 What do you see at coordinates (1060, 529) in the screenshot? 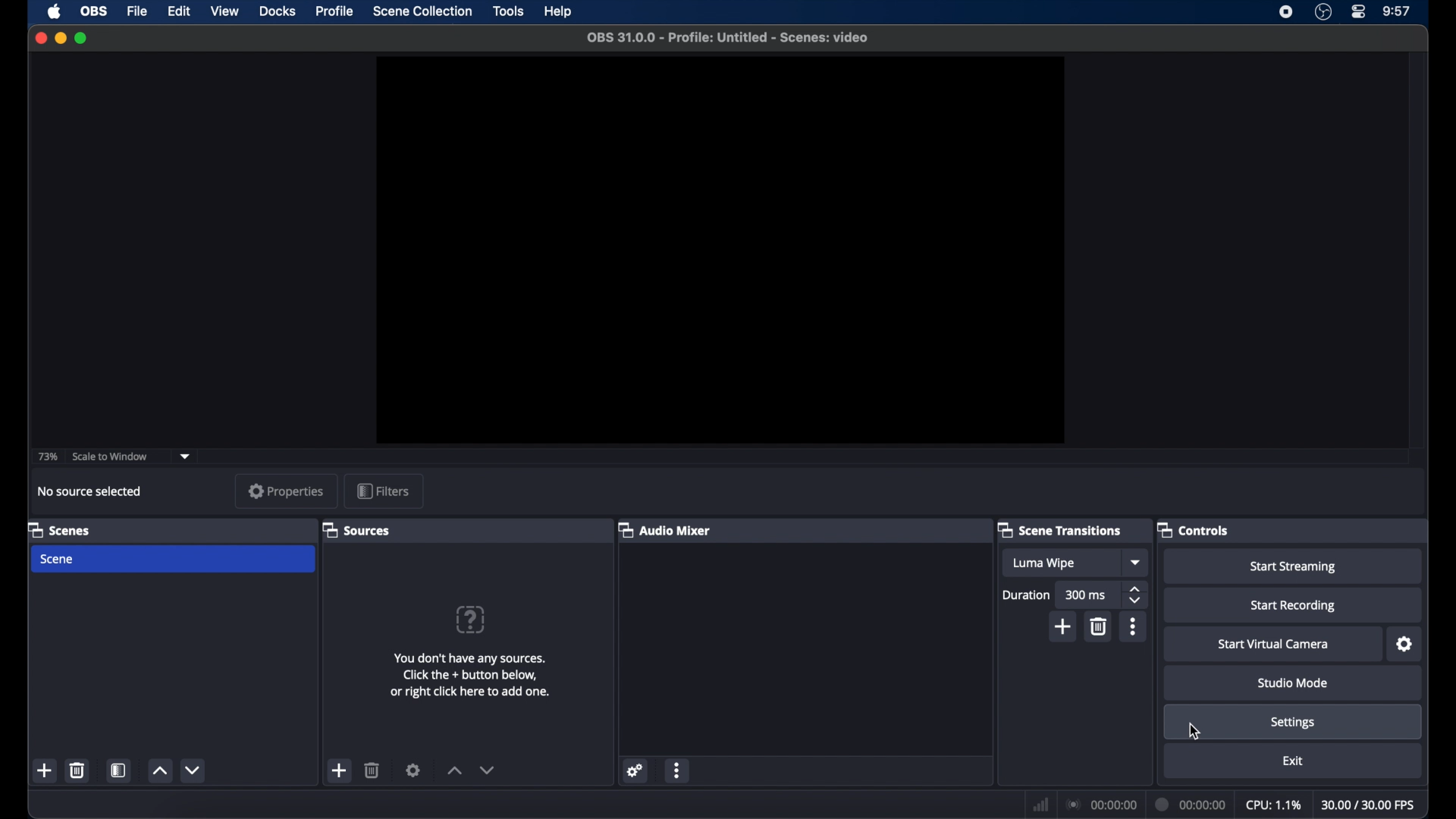
I see `scene transitions` at bounding box center [1060, 529].